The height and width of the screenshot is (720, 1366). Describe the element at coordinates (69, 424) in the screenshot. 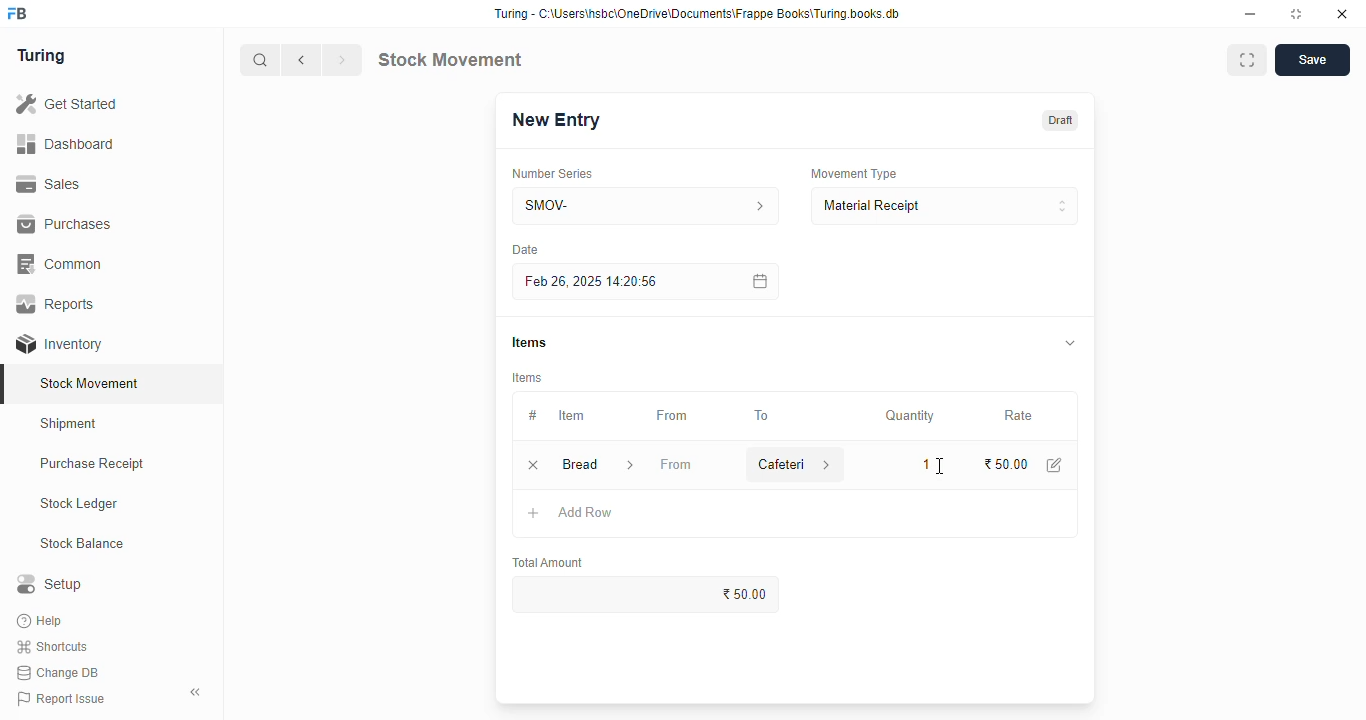

I see `shipment` at that location.